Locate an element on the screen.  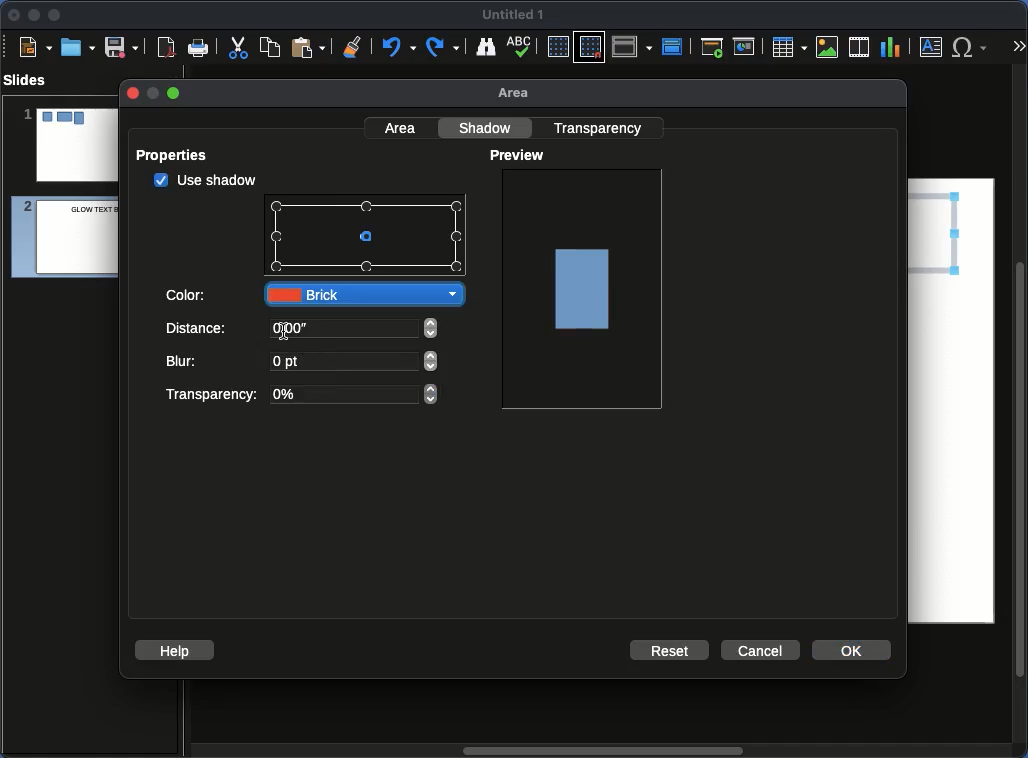
checked Use shadow is located at coordinates (206, 180).